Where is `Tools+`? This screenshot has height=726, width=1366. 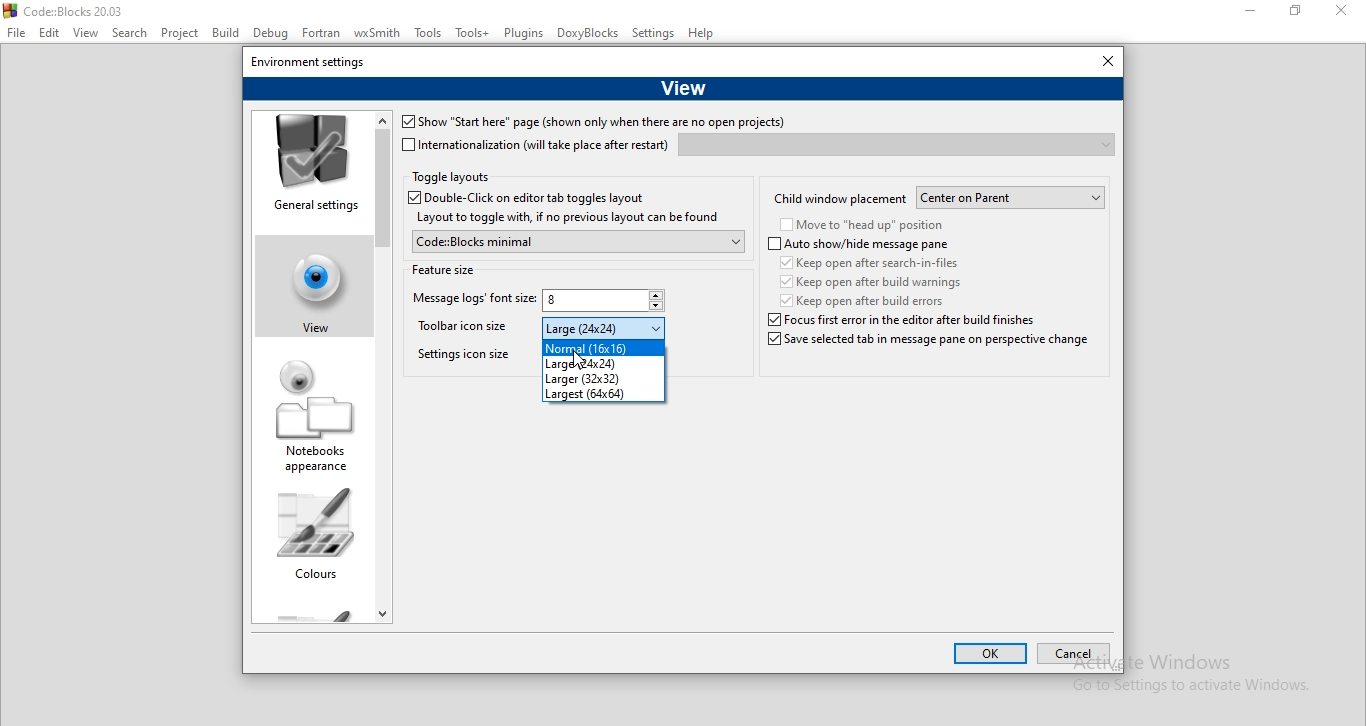 Tools+ is located at coordinates (473, 34).